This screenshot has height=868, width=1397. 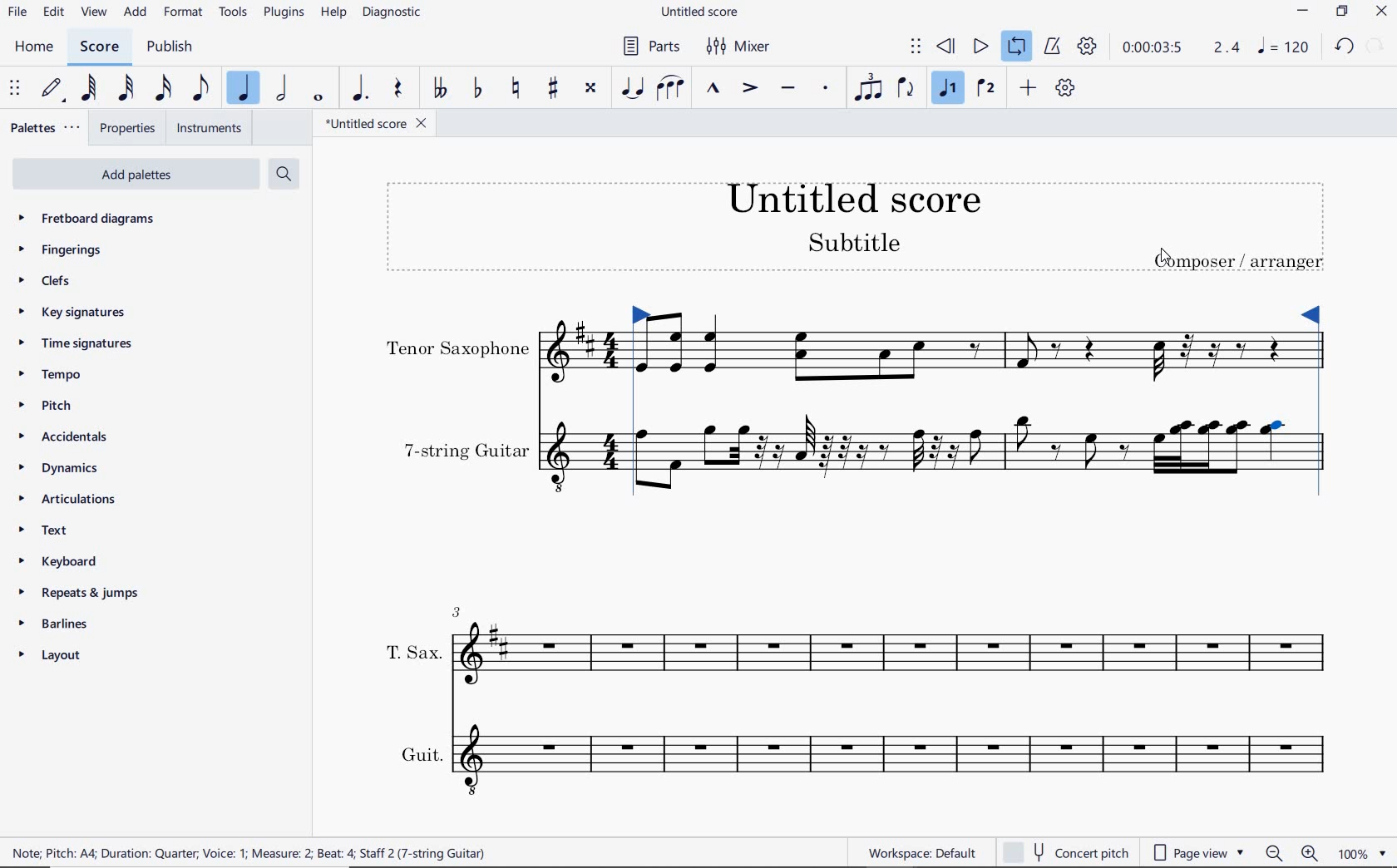 What do you see at coordinates (136, 11) in the screenshot?
I see `ADD` at bounding box center [136, 11].